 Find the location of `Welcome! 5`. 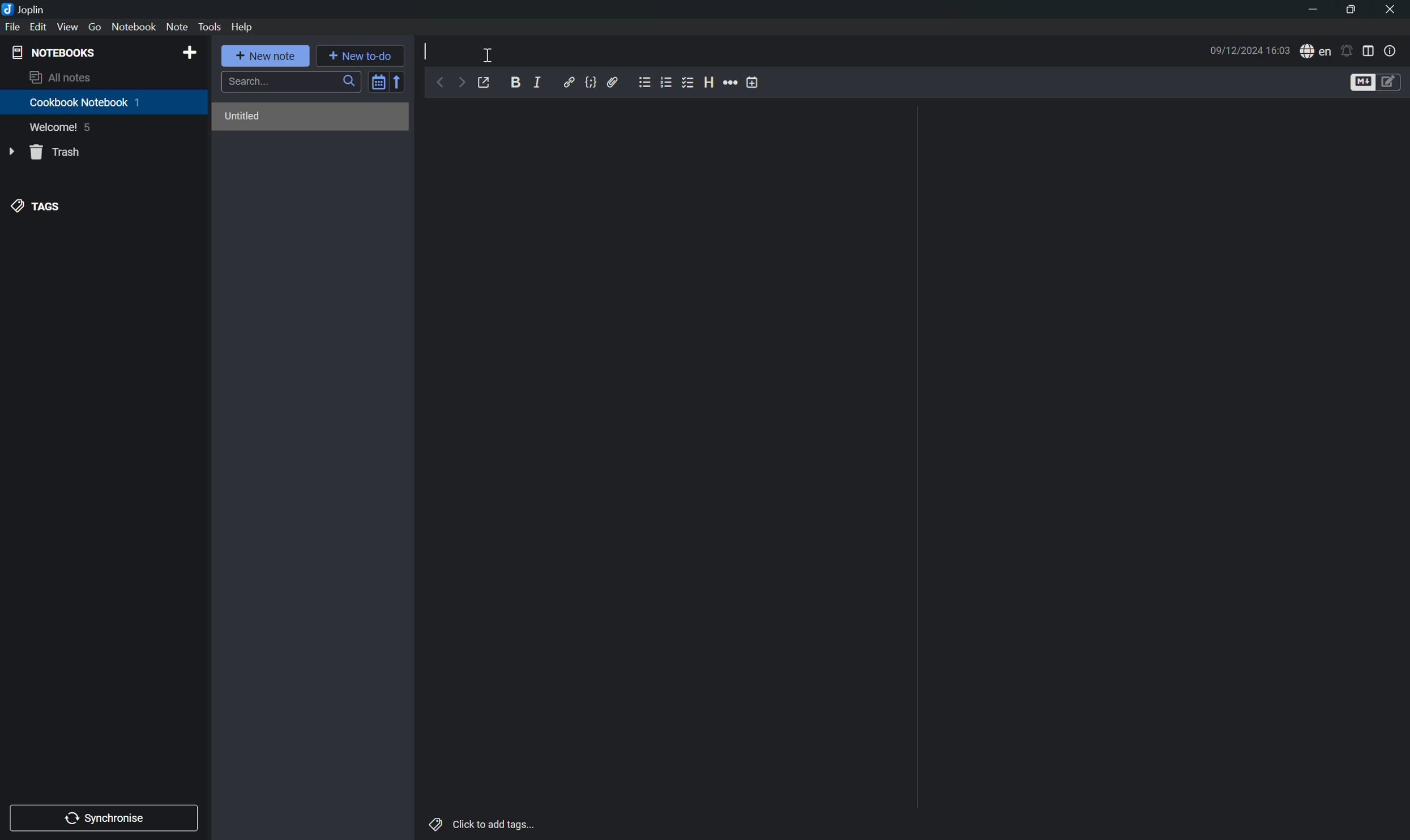

Welcome! 5 is located at coordinates (63, 129).